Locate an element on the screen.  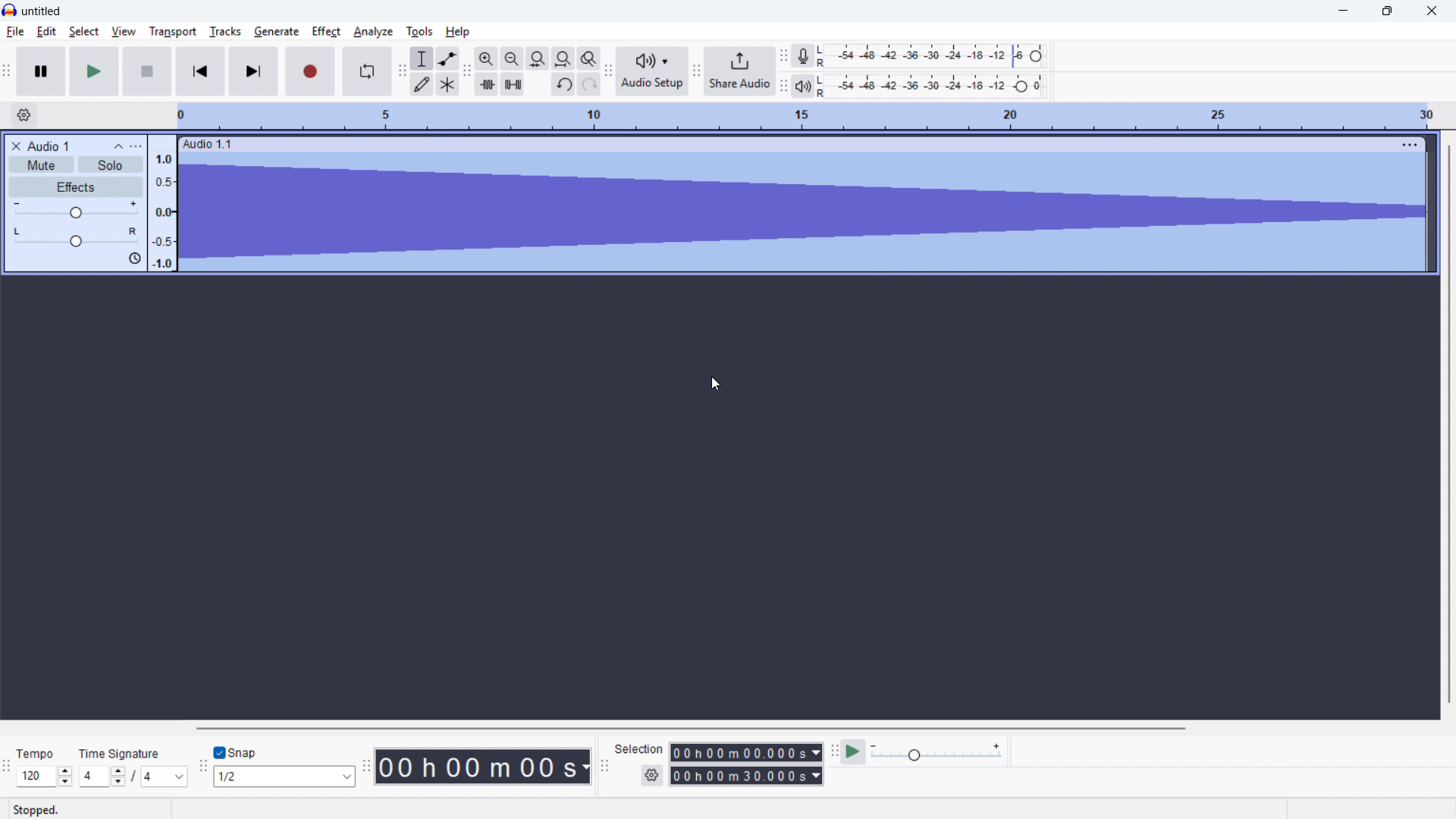
 Tools  is located at coordinates (420, 31).